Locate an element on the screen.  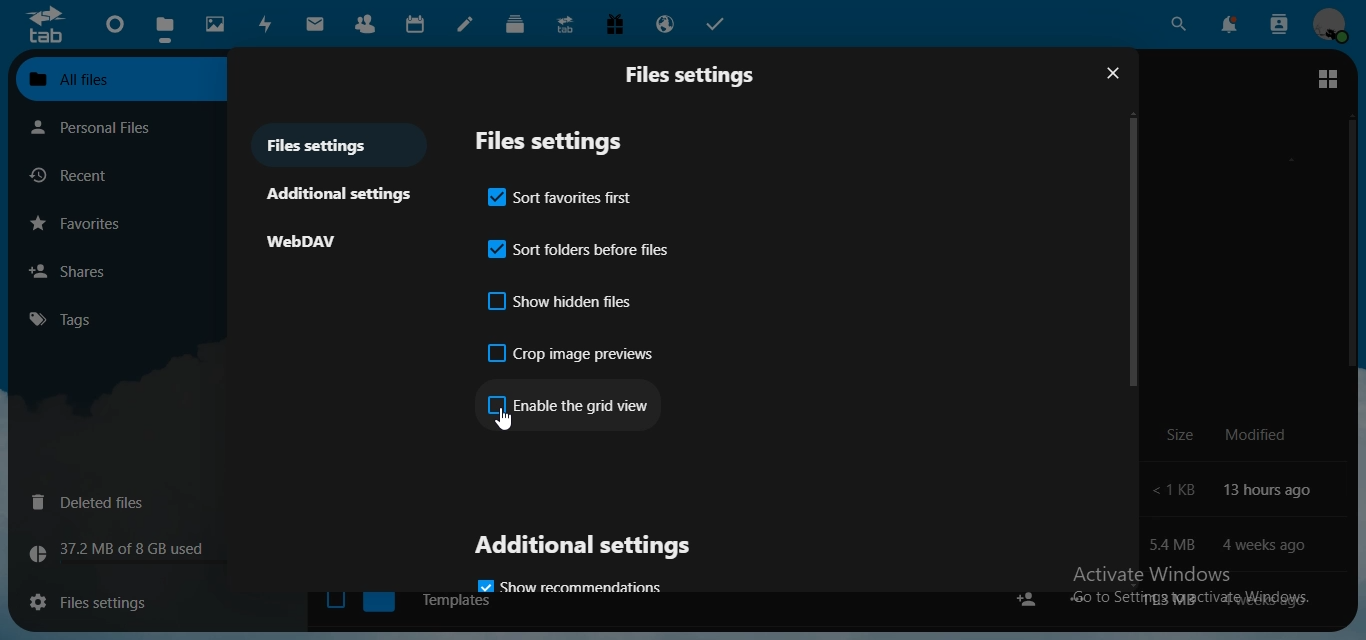
activity is located at coordinates (264, 24).